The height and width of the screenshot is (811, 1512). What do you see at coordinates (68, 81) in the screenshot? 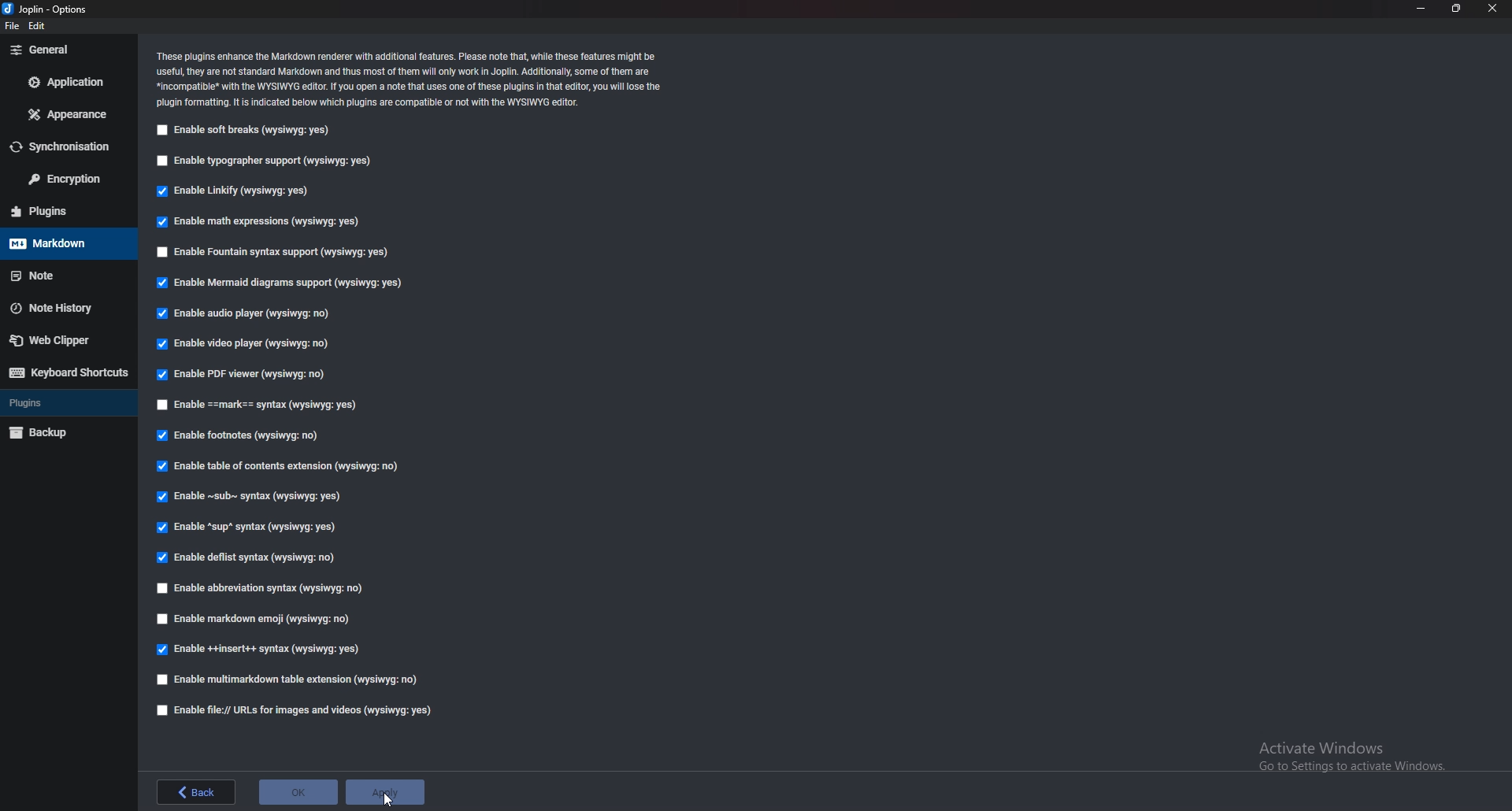
I see `Application` at bounding box center [68, 81].